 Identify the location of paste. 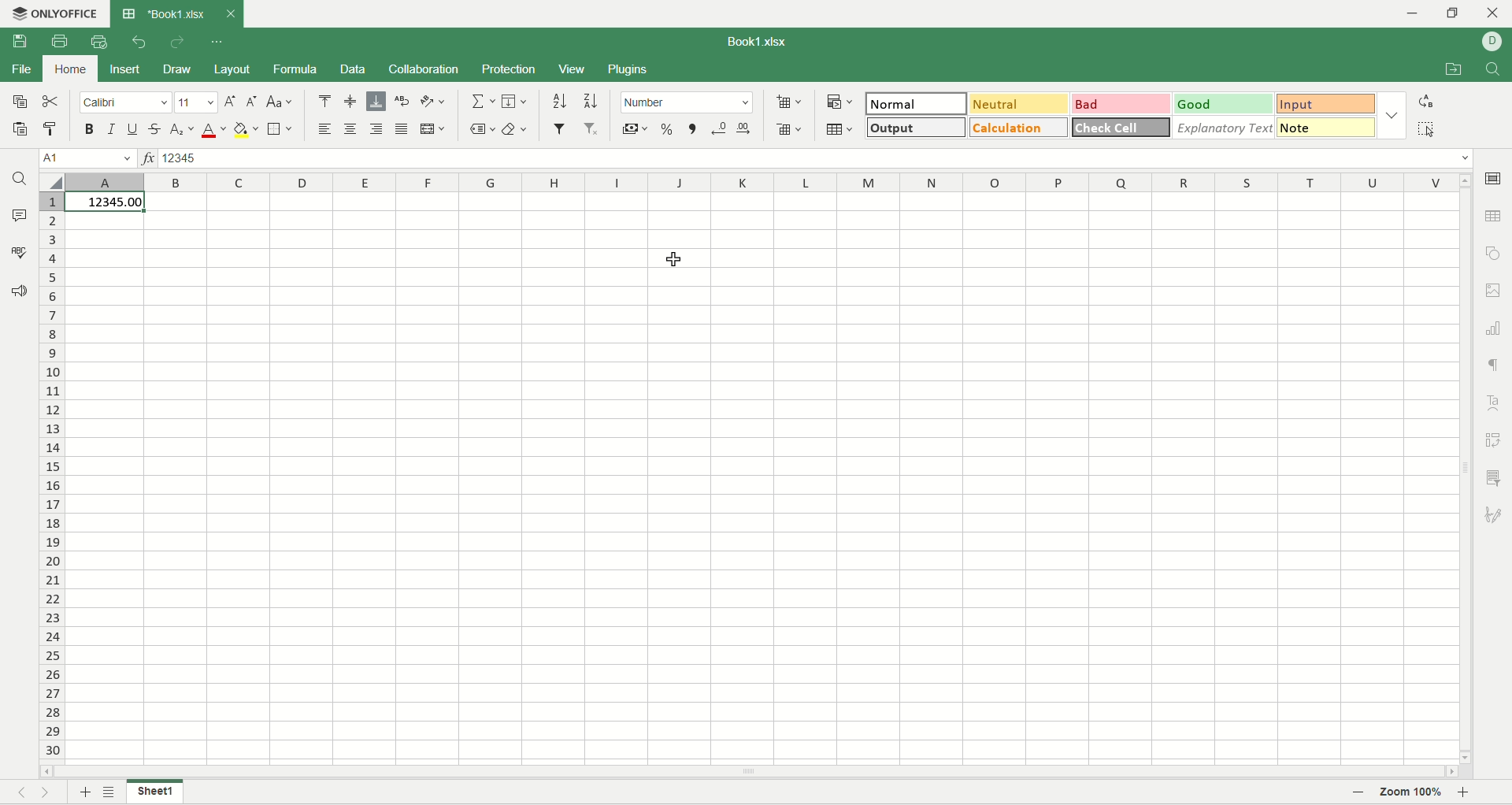
(20, 130).